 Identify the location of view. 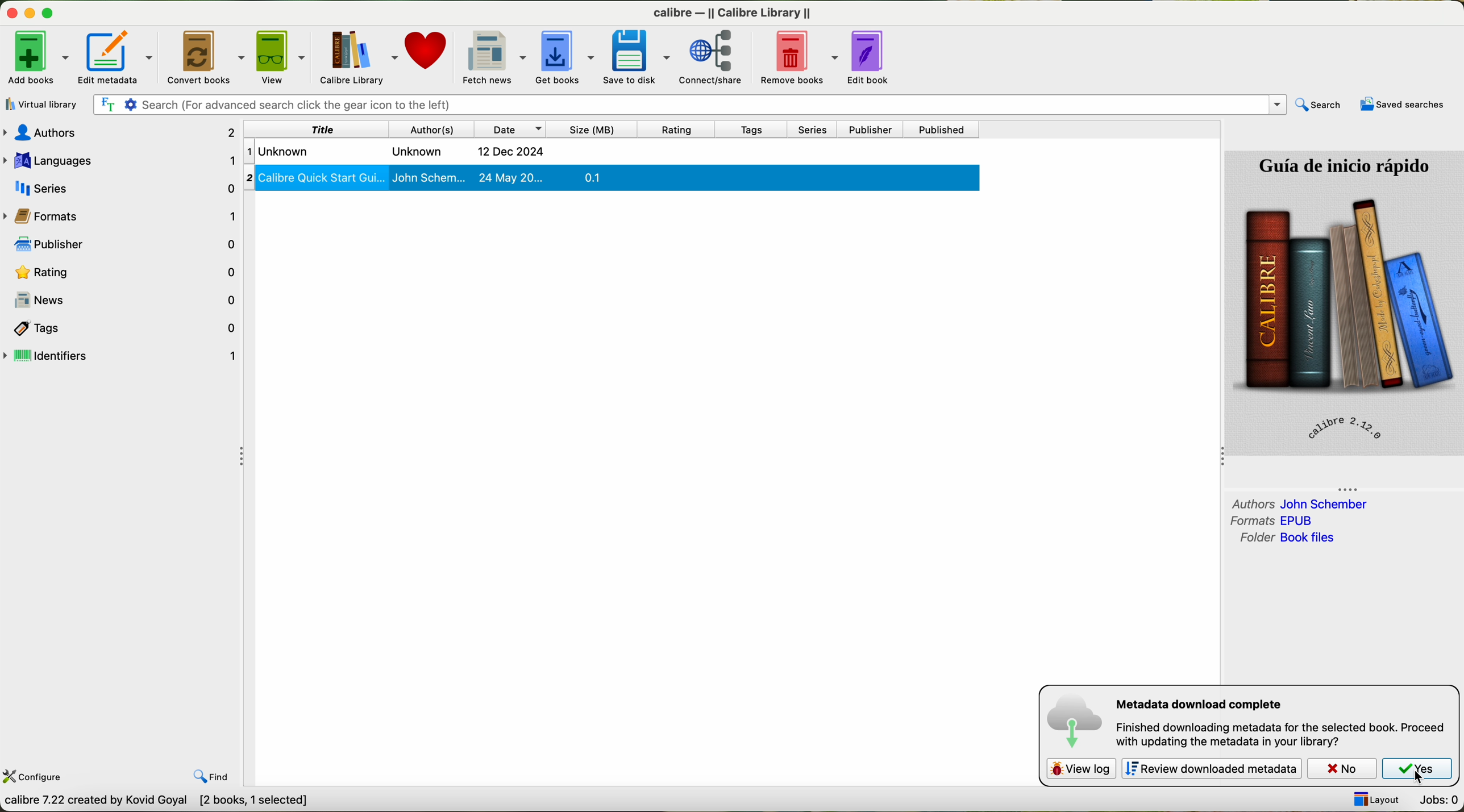
(285, 56).